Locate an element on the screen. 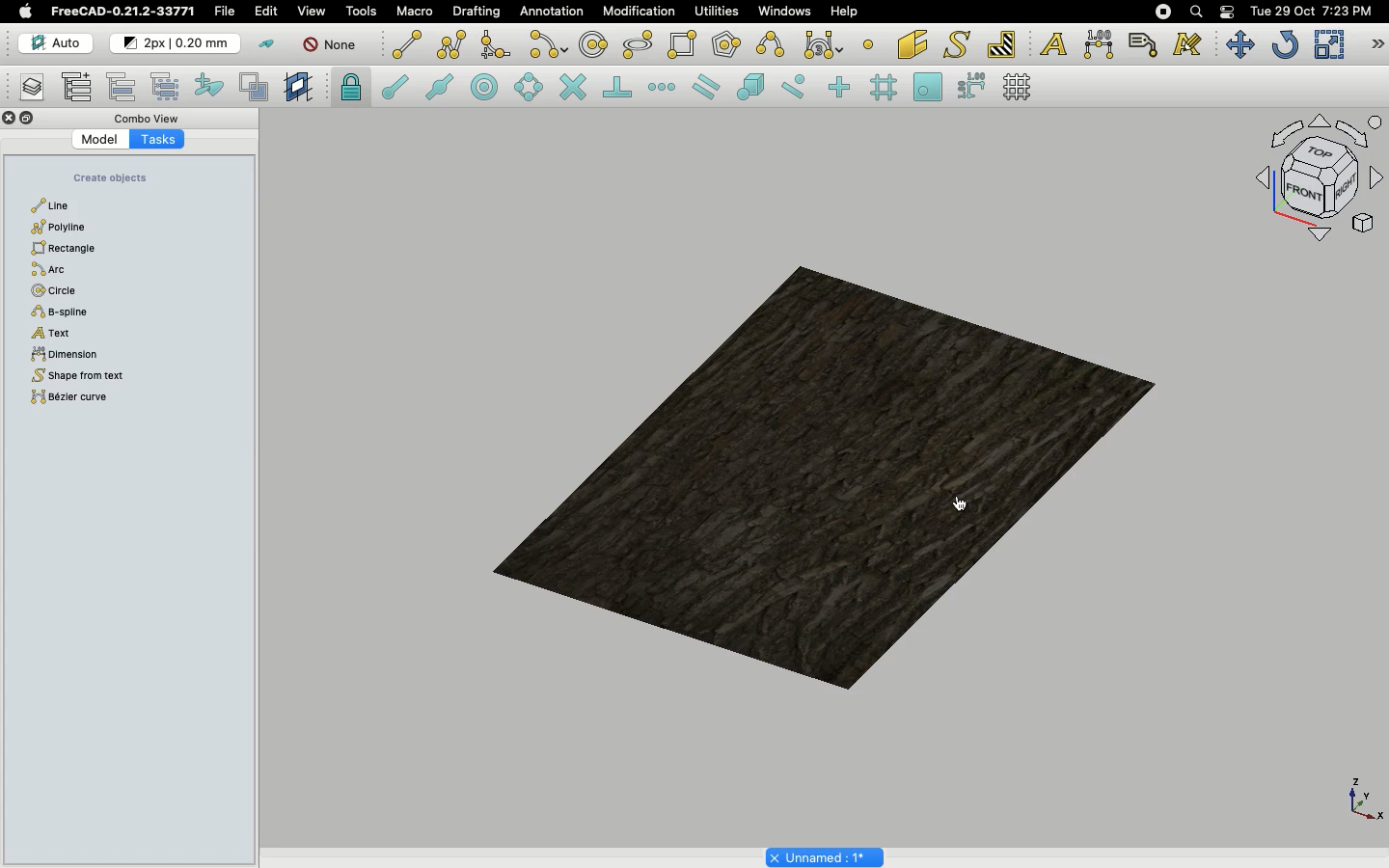  Dimension is located at coordinates (67, 353).